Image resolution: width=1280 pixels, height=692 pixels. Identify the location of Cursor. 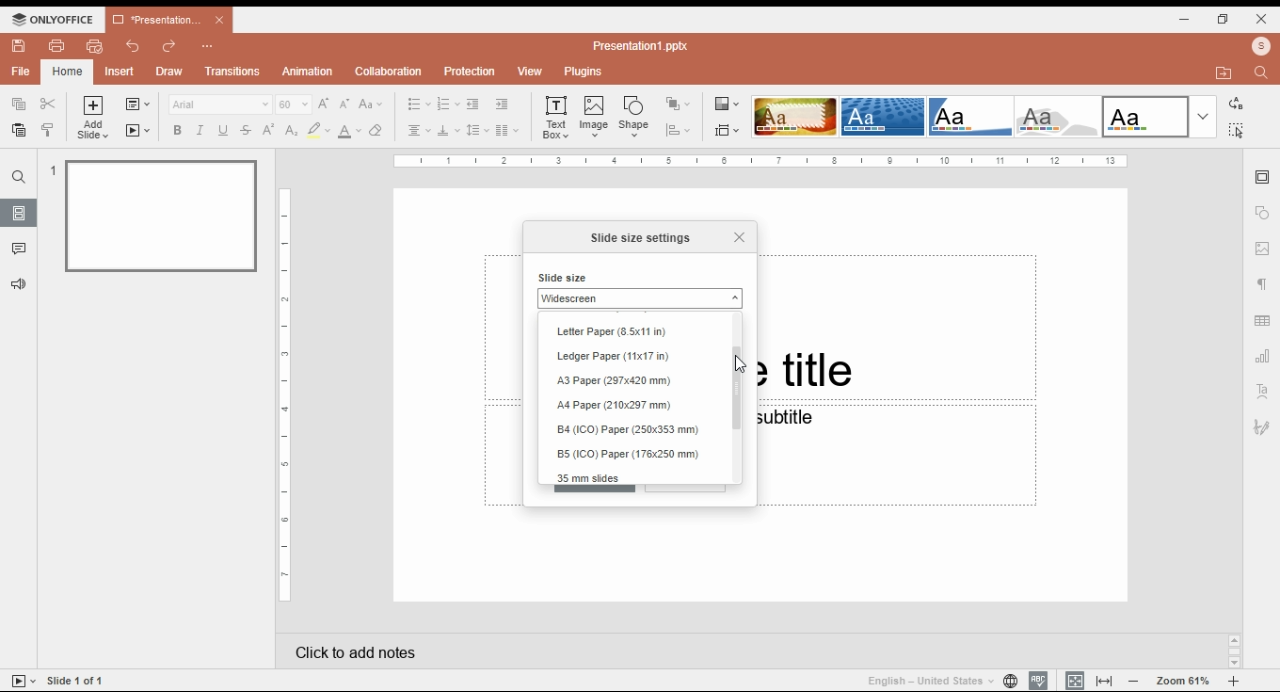
(738, 365).